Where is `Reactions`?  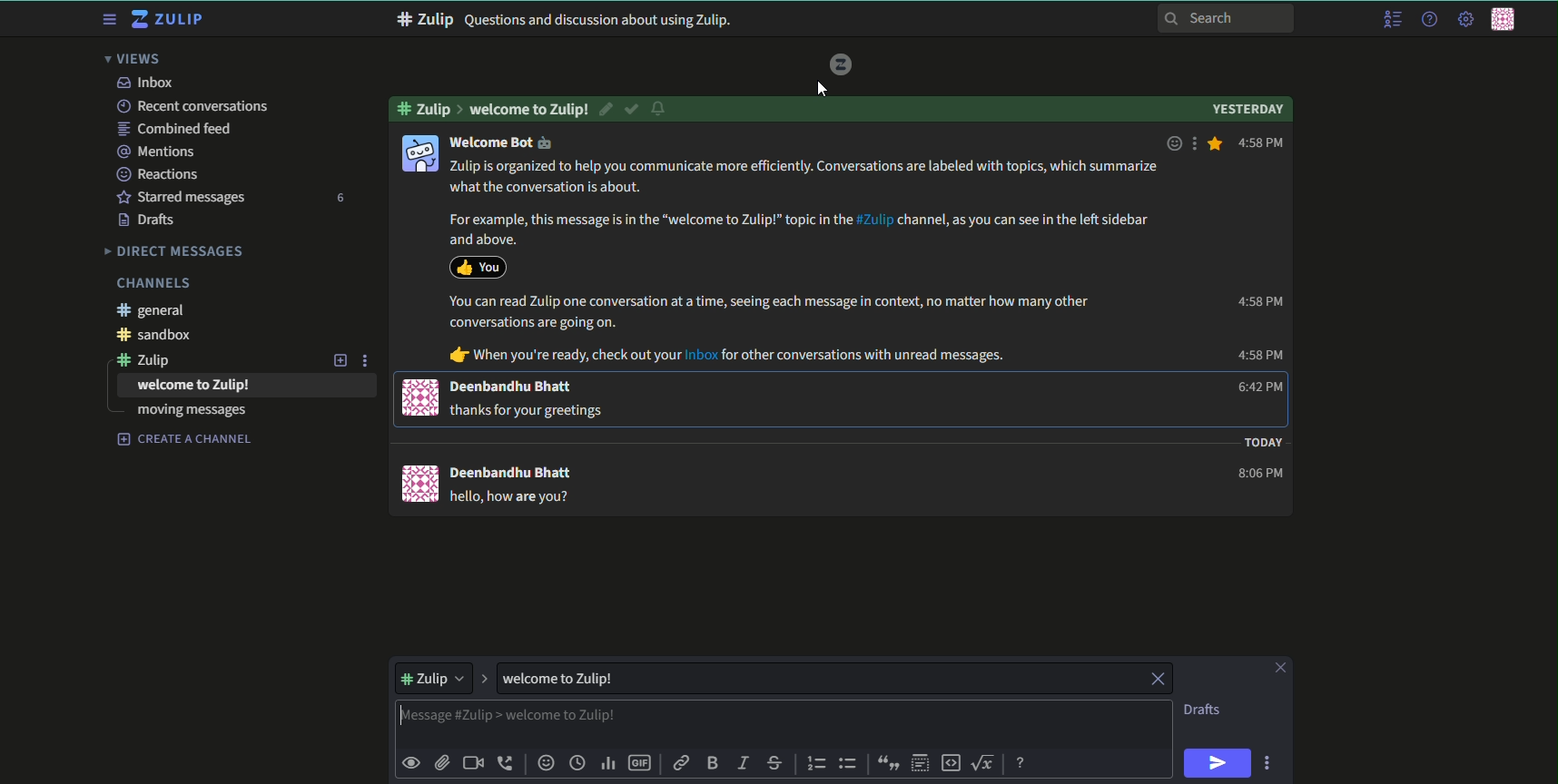 Reactions is located at coordinates (163, 173).